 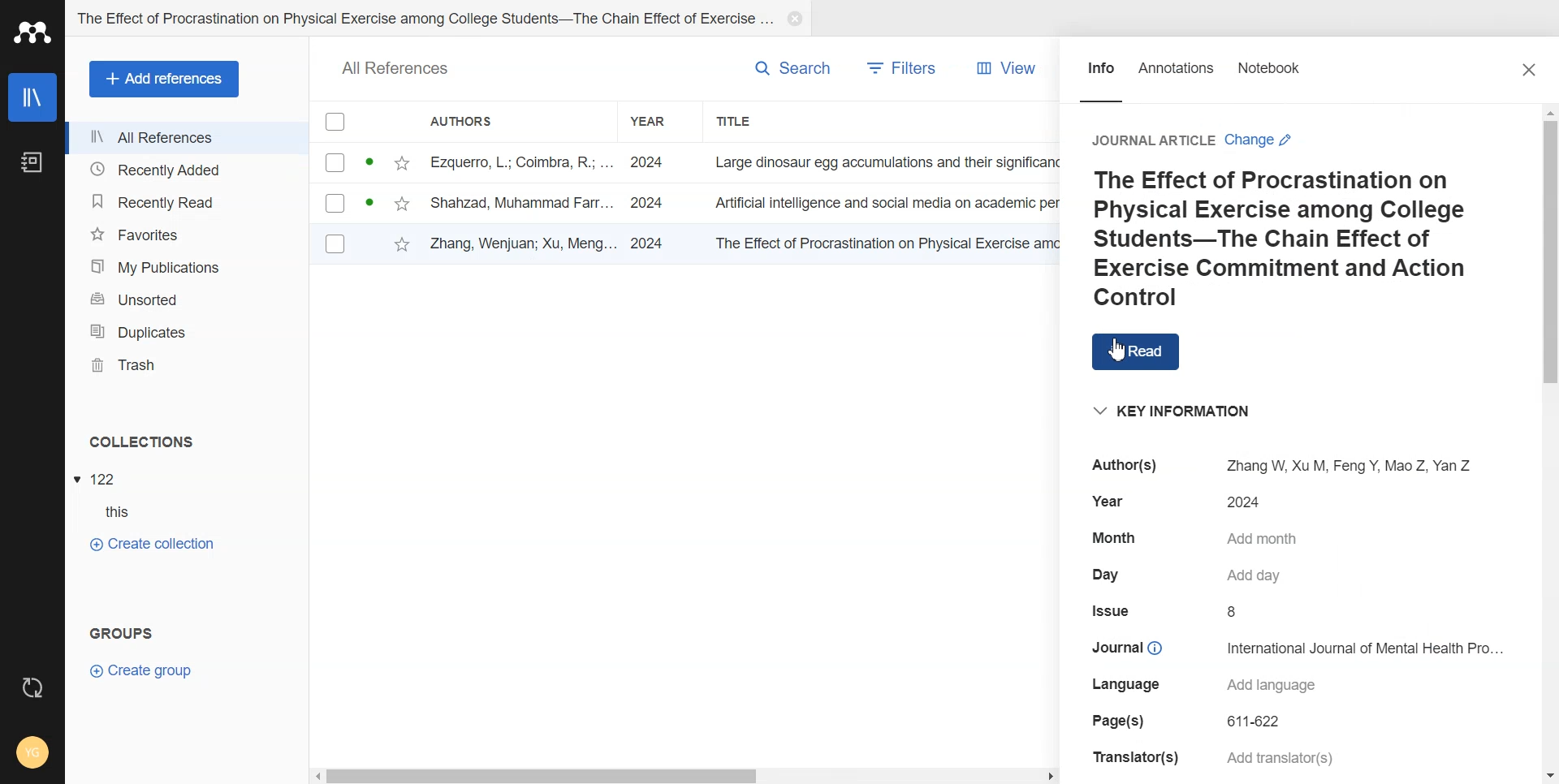 I want to click on Annotations, so click(x=1176, y=72).